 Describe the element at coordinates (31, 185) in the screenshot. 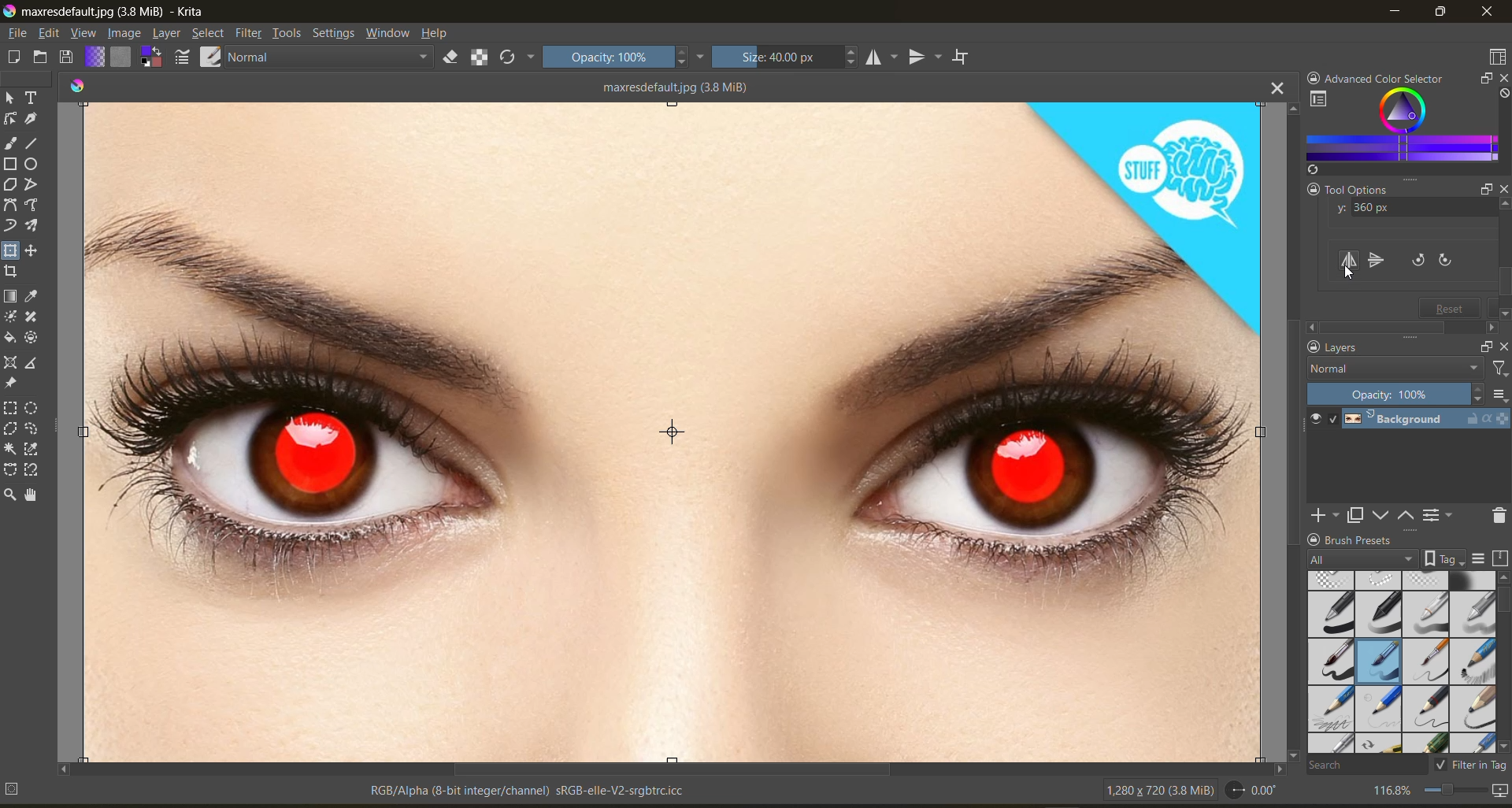

I see `tool` at that location.